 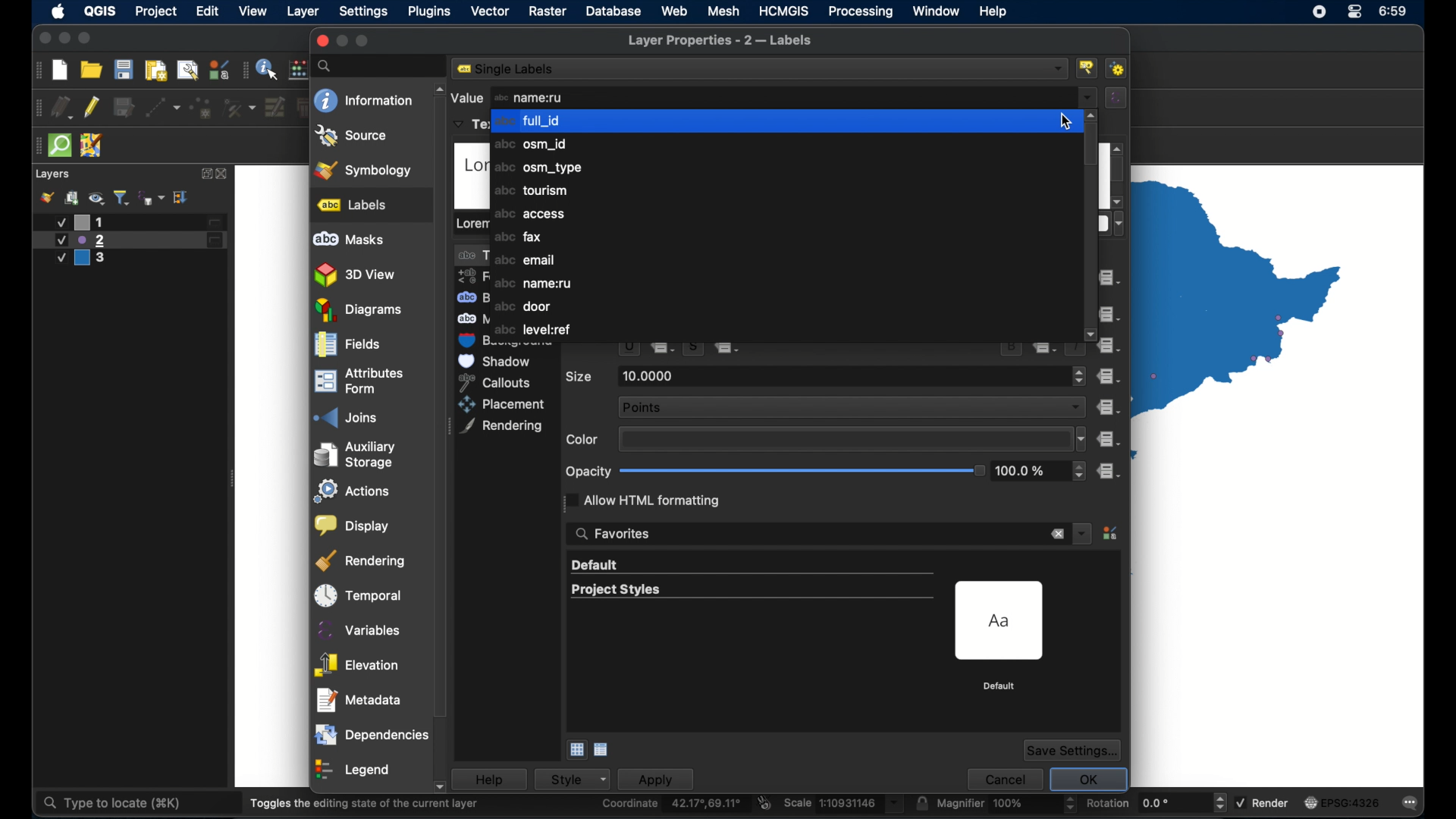 I want to click on joins, so click(x=344, y=413).